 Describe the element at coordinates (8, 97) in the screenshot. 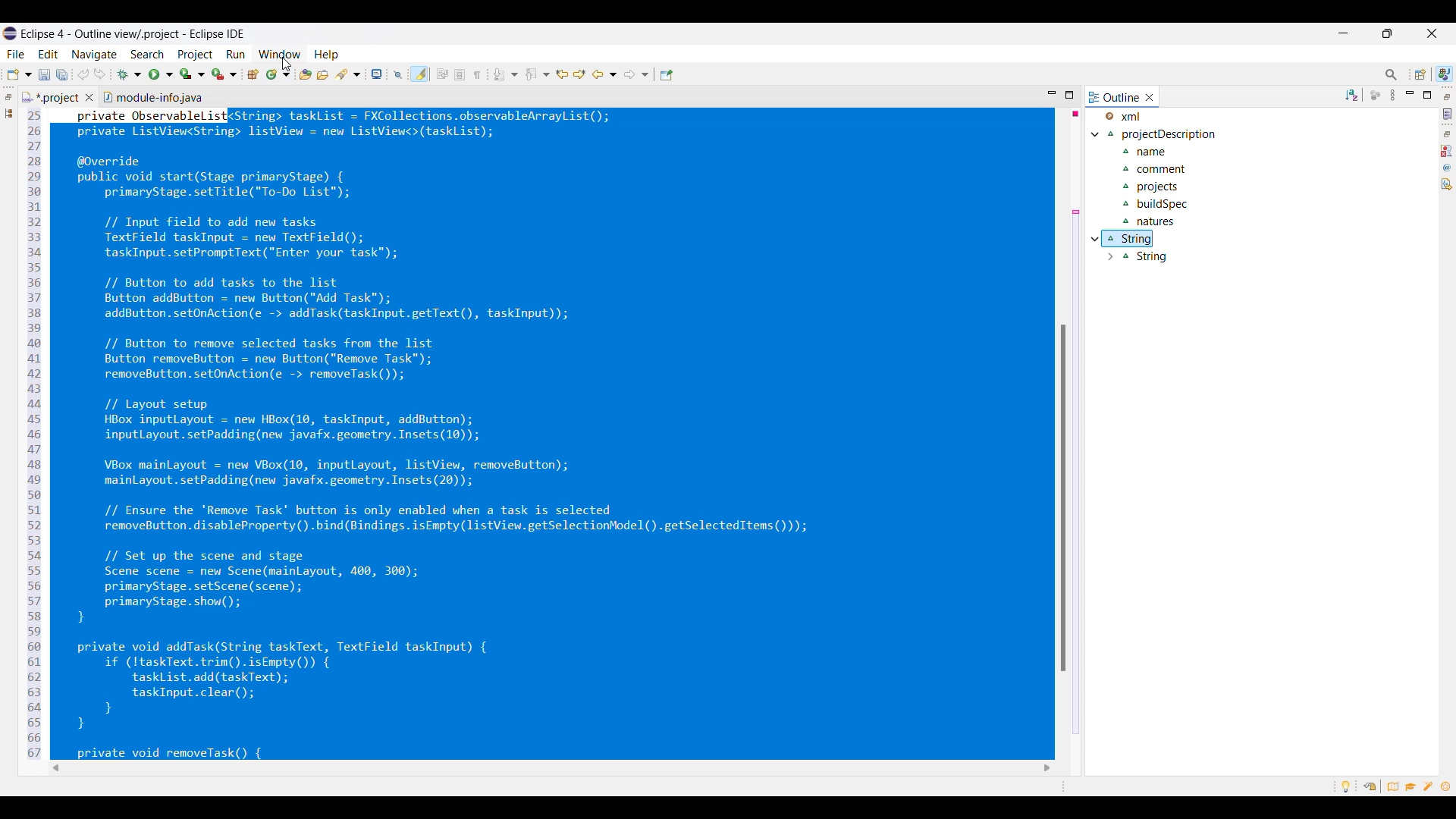

I see `Restore` at that location.